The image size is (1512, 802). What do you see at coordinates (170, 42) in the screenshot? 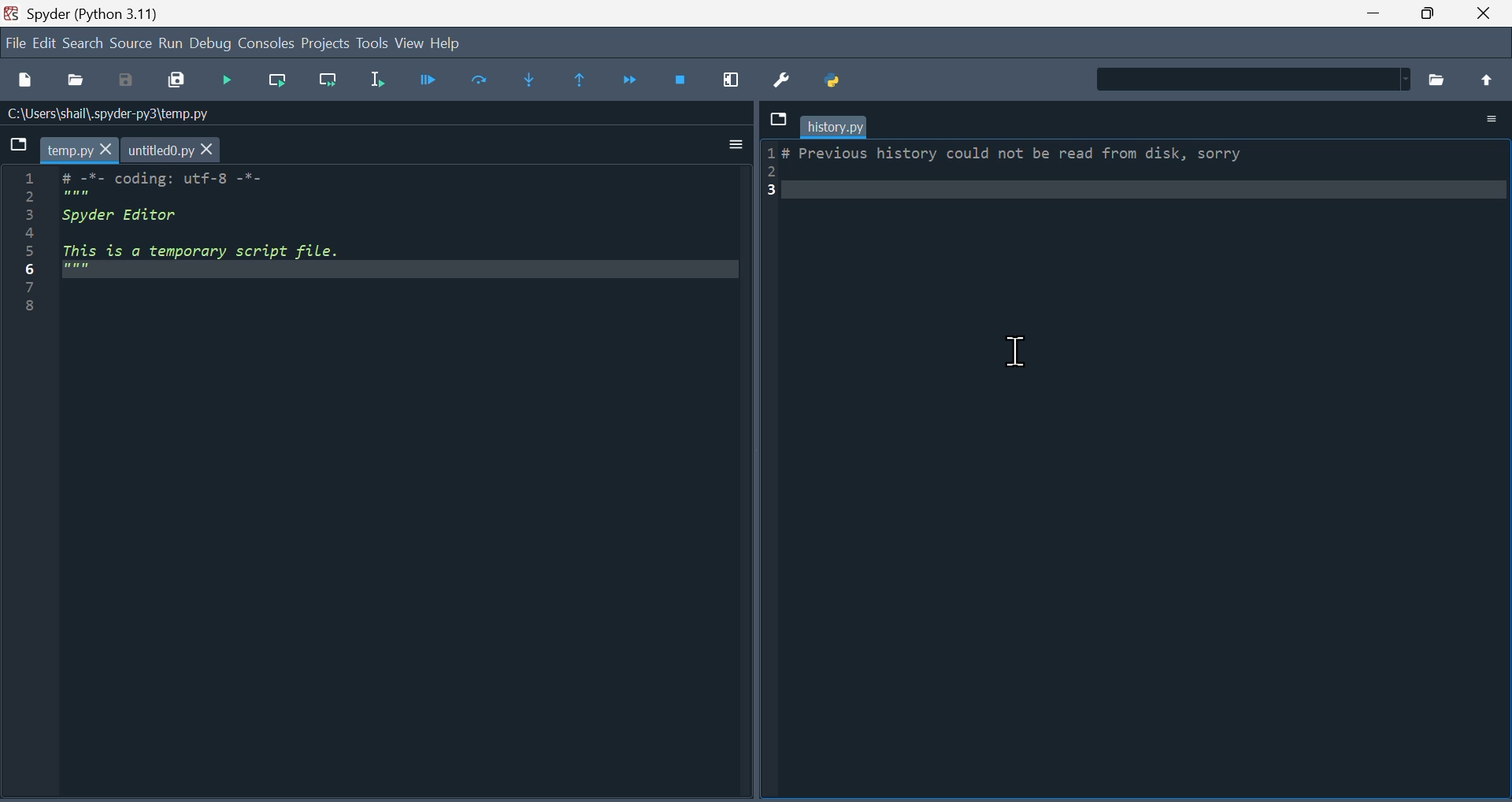
I see `run` at bounding box center [170, 42].